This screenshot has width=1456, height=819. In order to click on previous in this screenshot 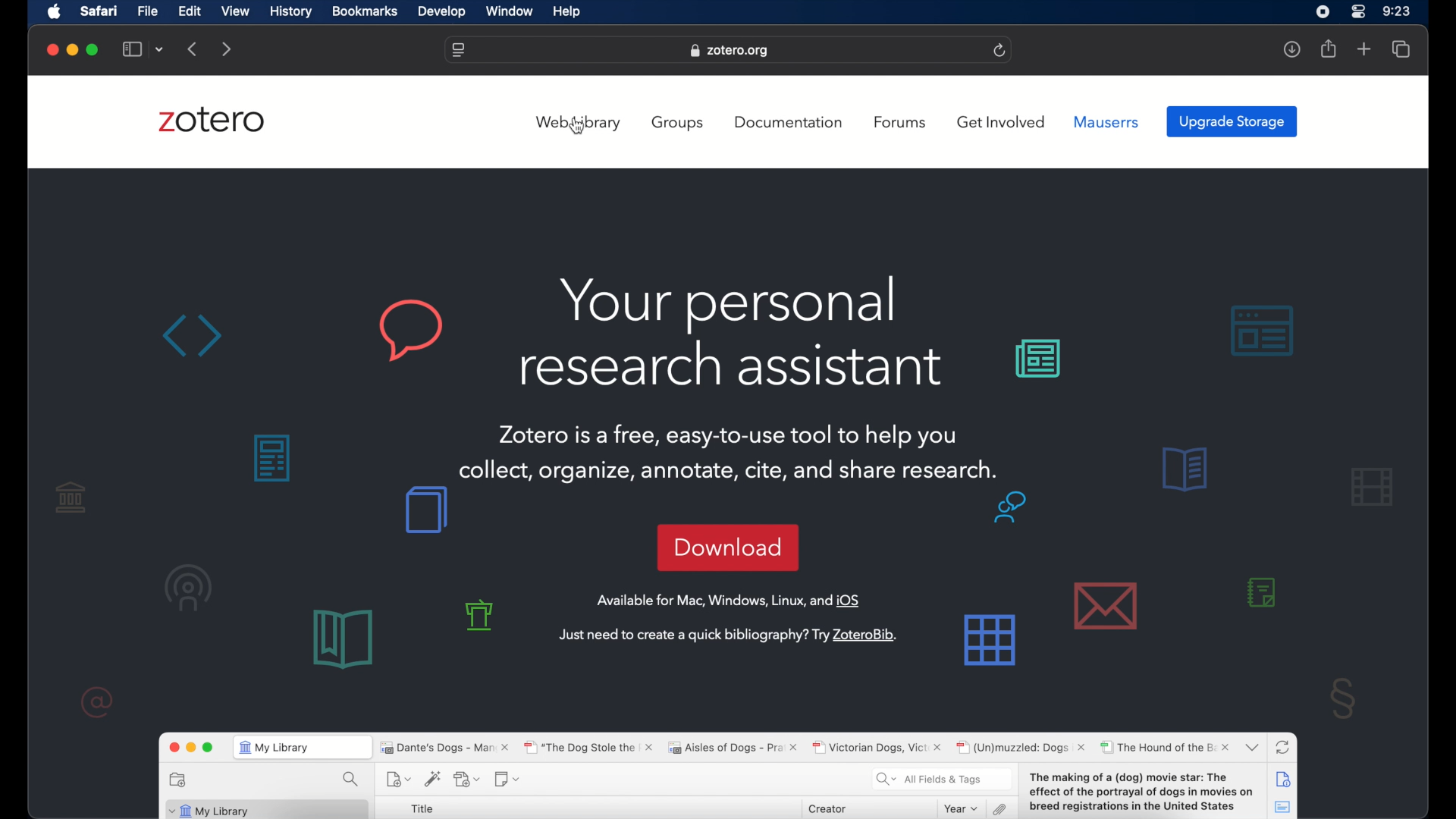, I will do `click(194, 48)`.